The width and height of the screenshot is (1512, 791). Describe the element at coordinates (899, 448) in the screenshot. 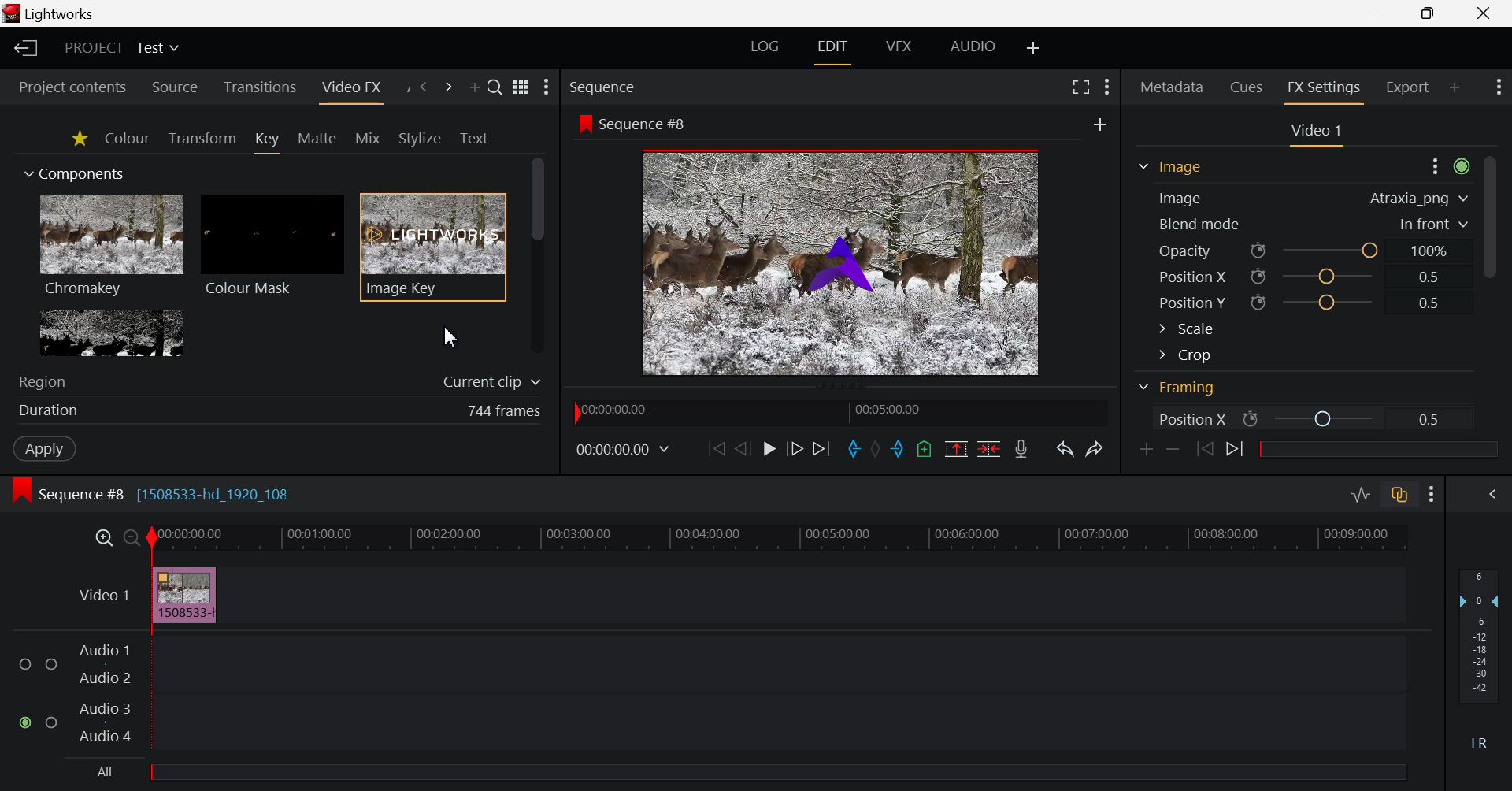

I see `Mark Out` at that location.